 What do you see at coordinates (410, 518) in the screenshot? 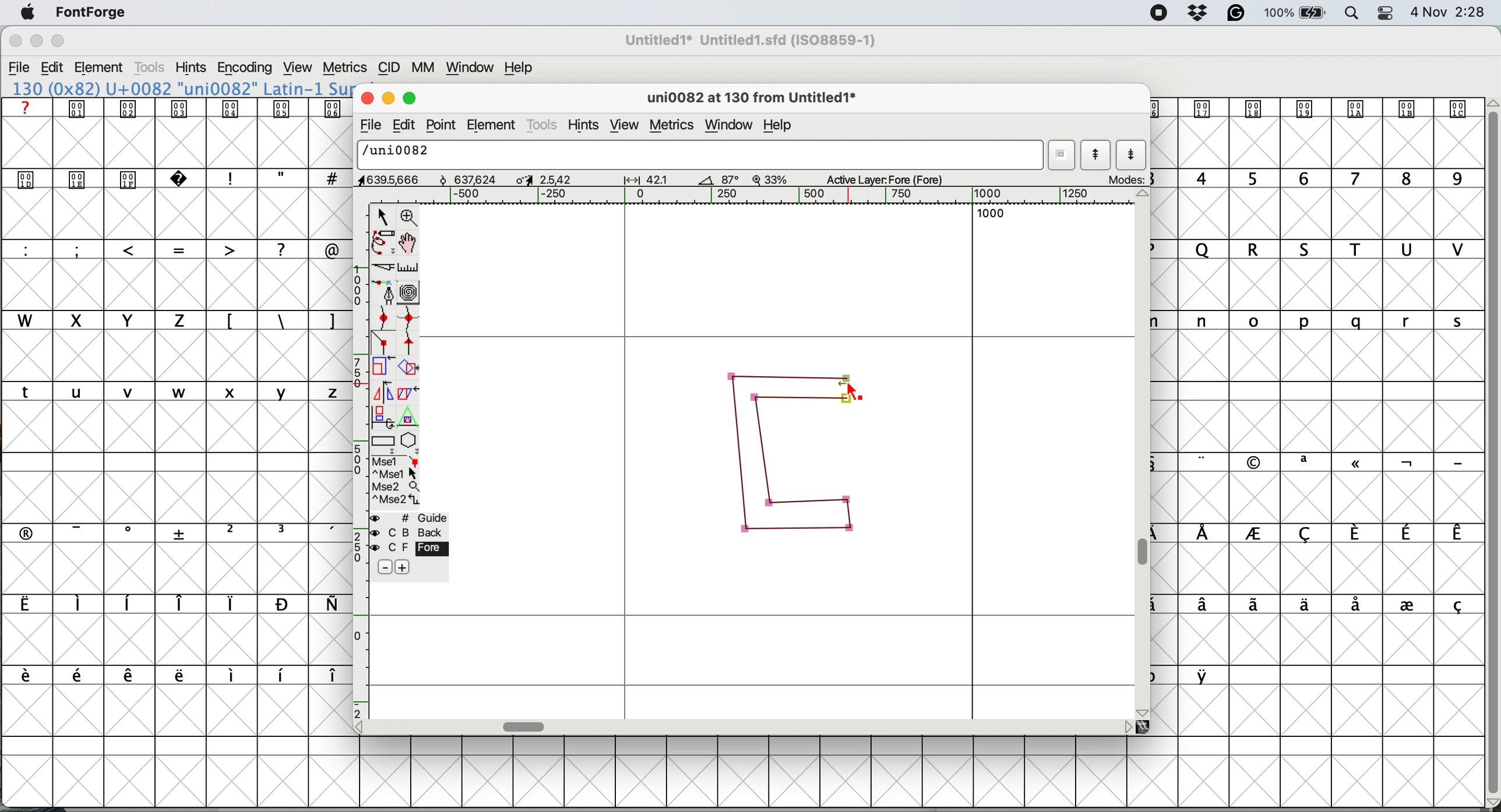
I see `guide` at bounding box center [410, 518].